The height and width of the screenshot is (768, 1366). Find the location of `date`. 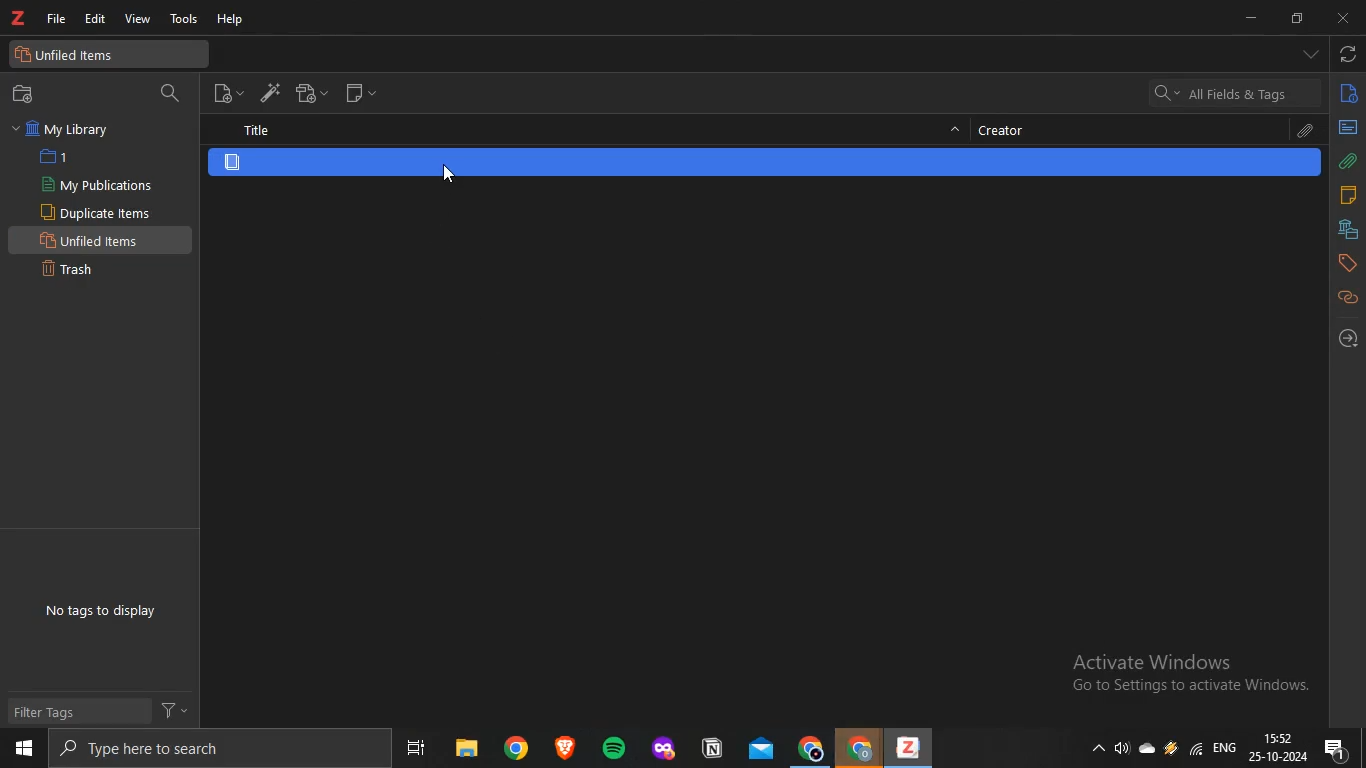

date is located at coordinates (1279, 757).